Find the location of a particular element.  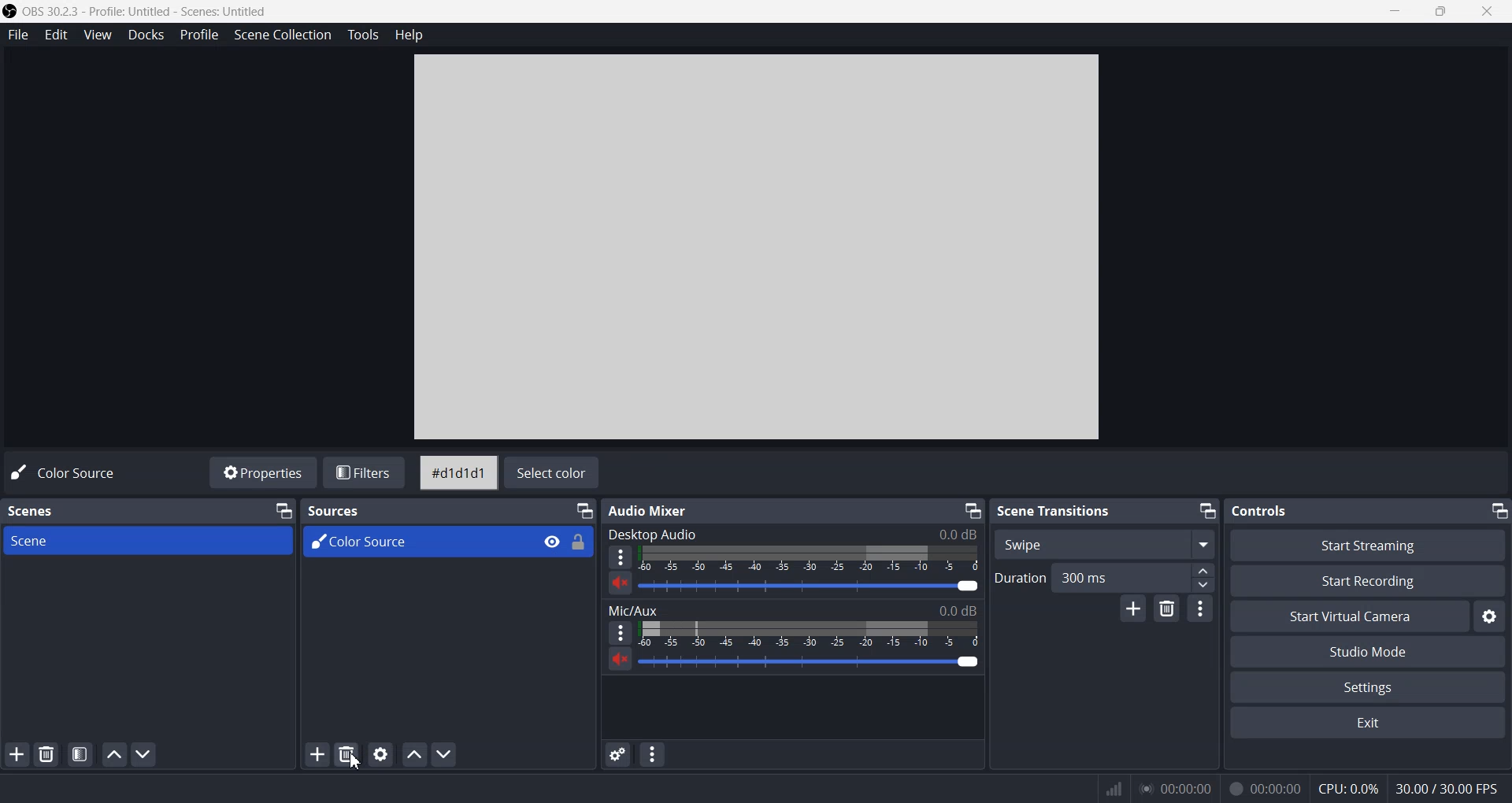

Move Source Up is located at coordinates (413, 754).